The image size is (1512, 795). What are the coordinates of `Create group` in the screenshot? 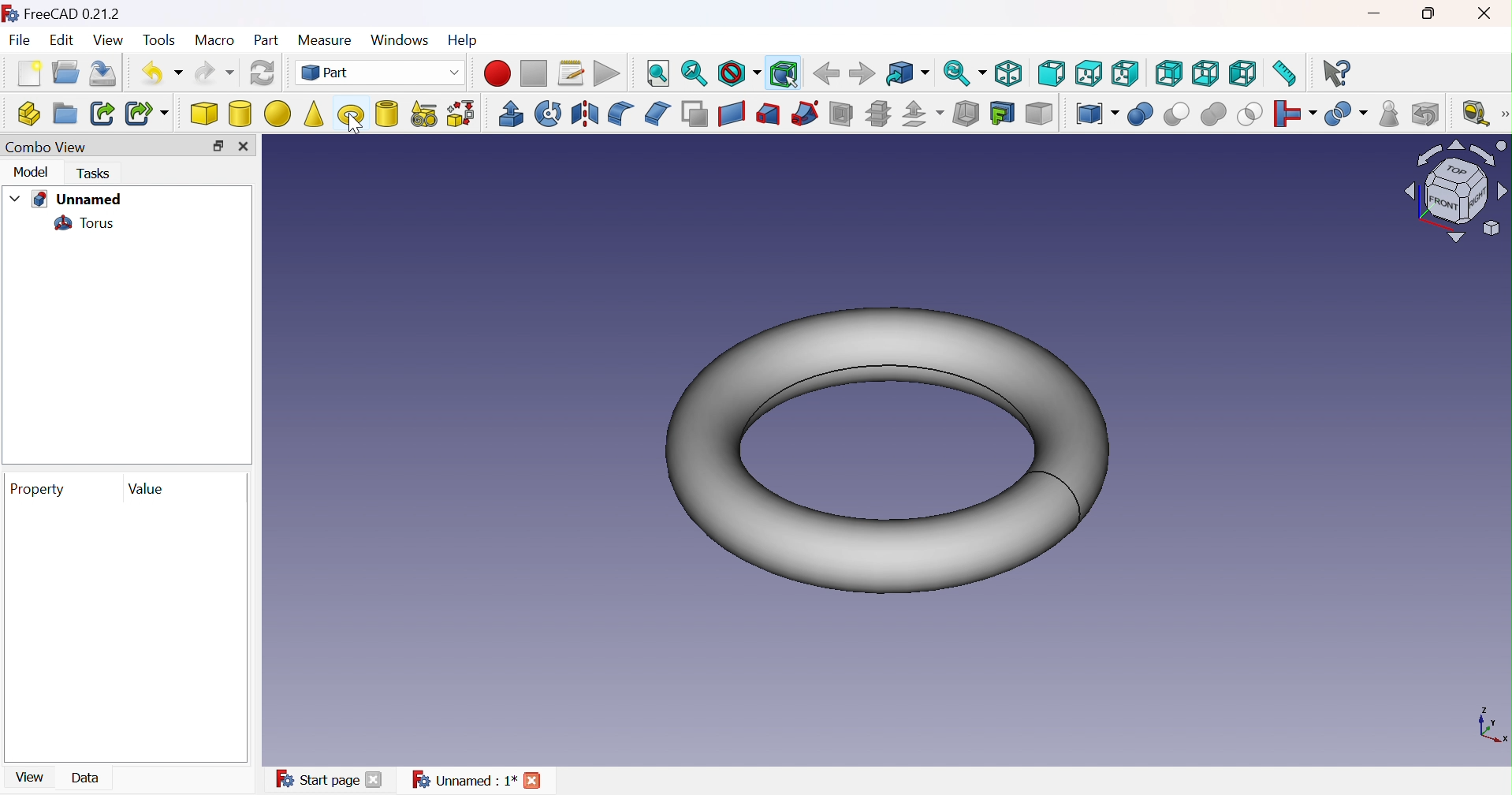 It's located at (65, 114).